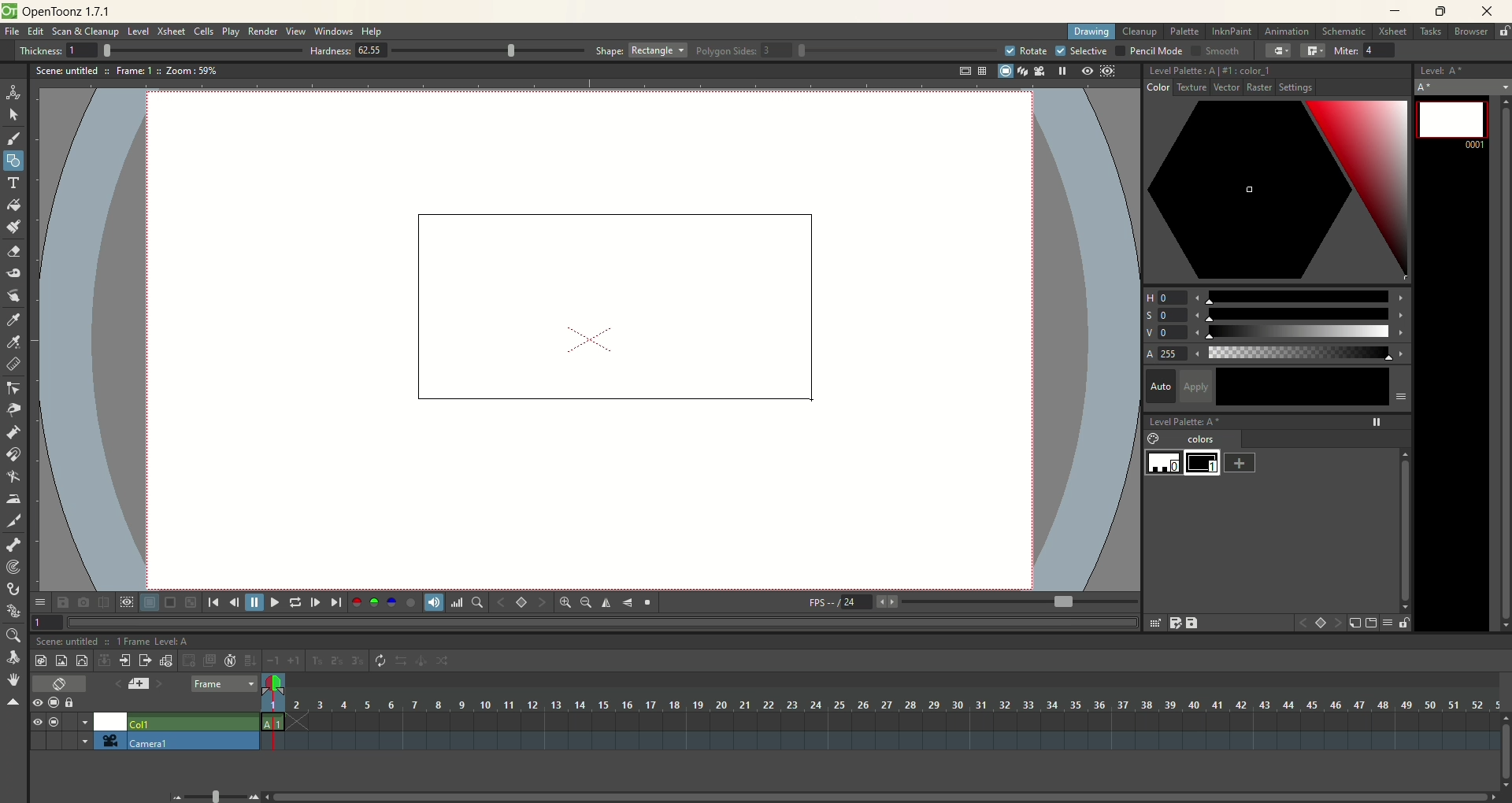  I want to click on value, so click(1277, 333).